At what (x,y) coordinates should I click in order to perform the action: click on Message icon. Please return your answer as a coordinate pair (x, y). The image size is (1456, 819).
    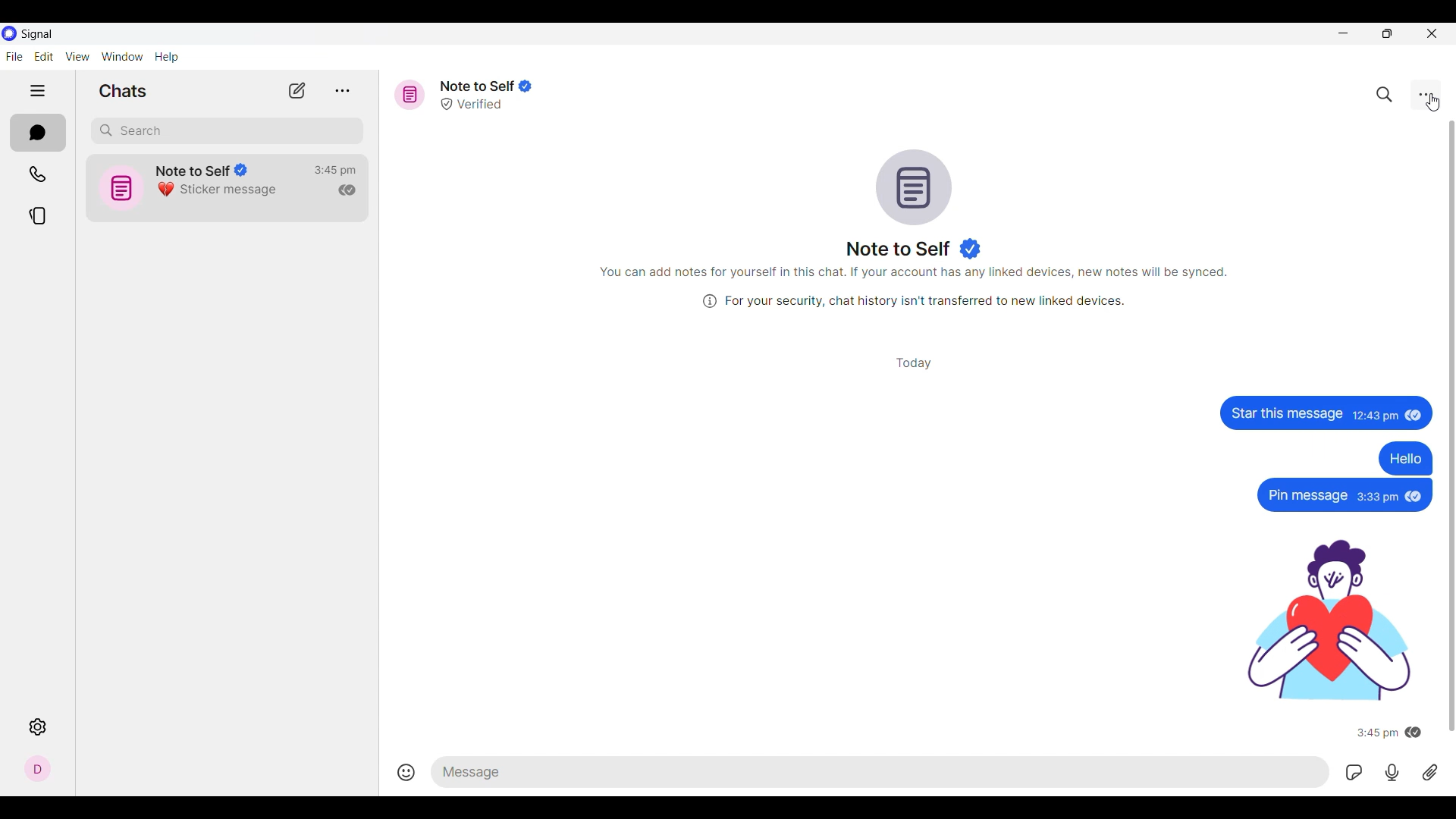
    Looking at the image, I should click on (409, 95).